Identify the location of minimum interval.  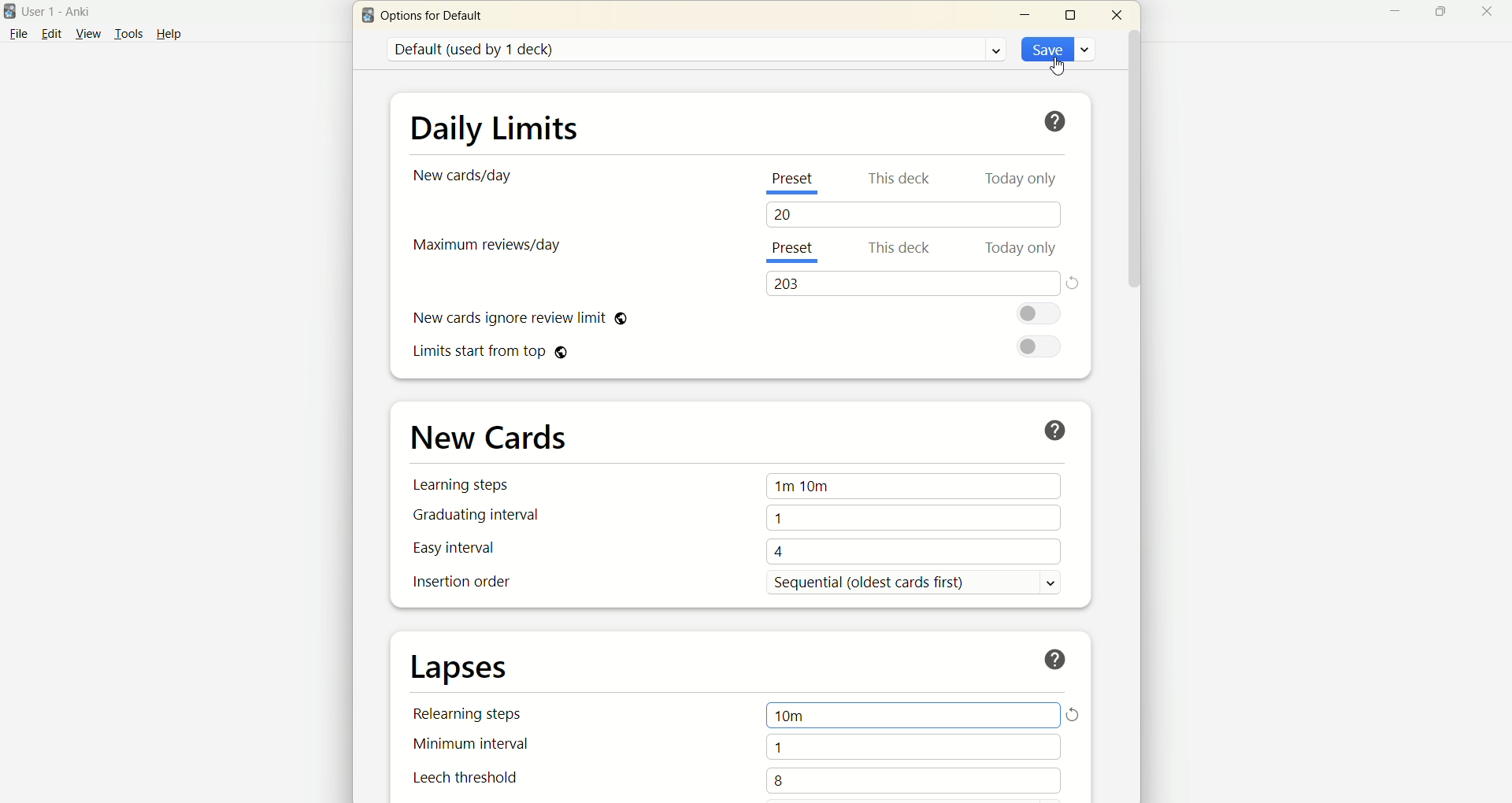
(476, 748).